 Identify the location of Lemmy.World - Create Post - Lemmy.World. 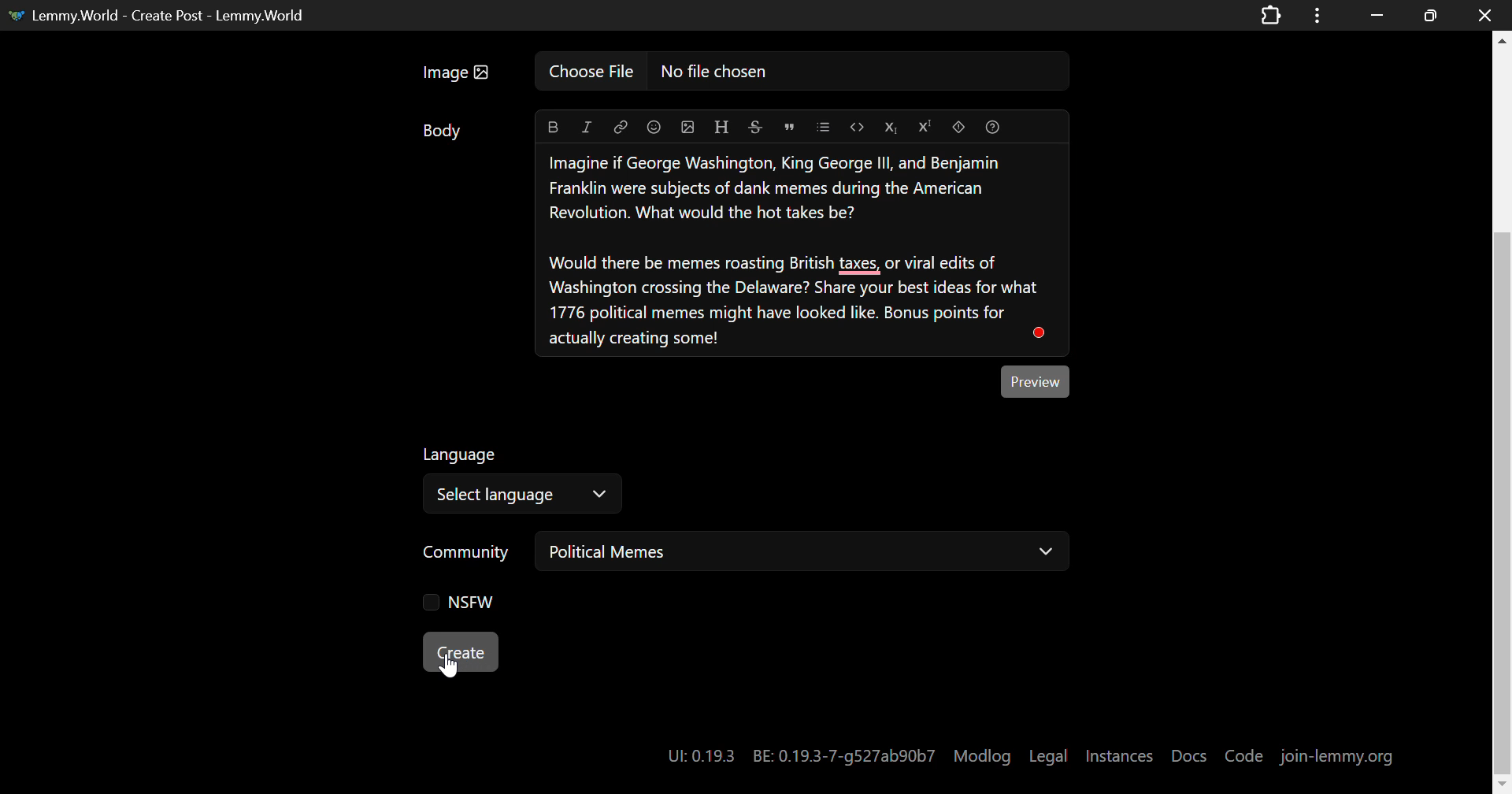
(169, 15).